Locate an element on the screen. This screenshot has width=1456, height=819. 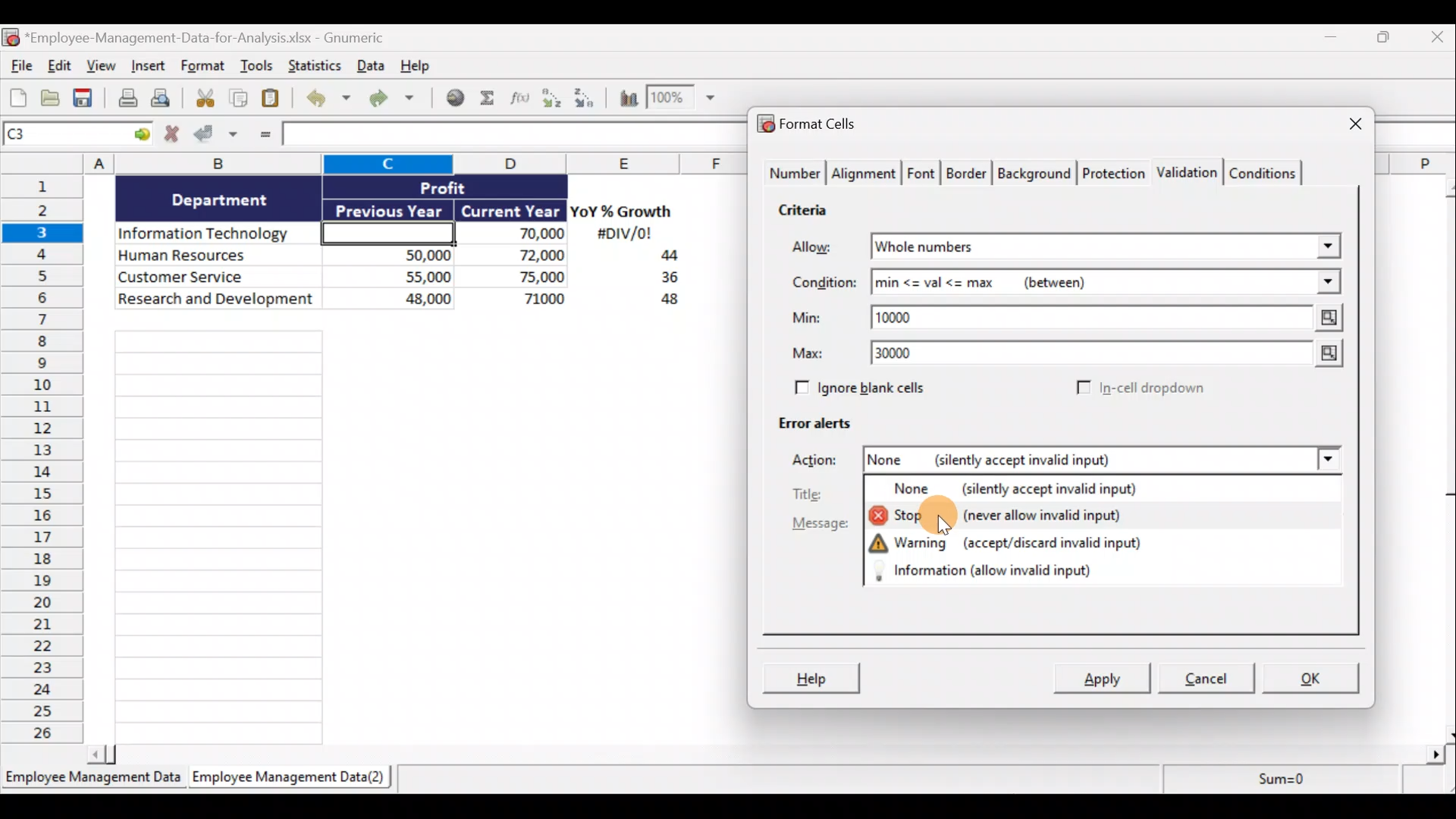
YoY% Growth is located at coordinates (622, 212).